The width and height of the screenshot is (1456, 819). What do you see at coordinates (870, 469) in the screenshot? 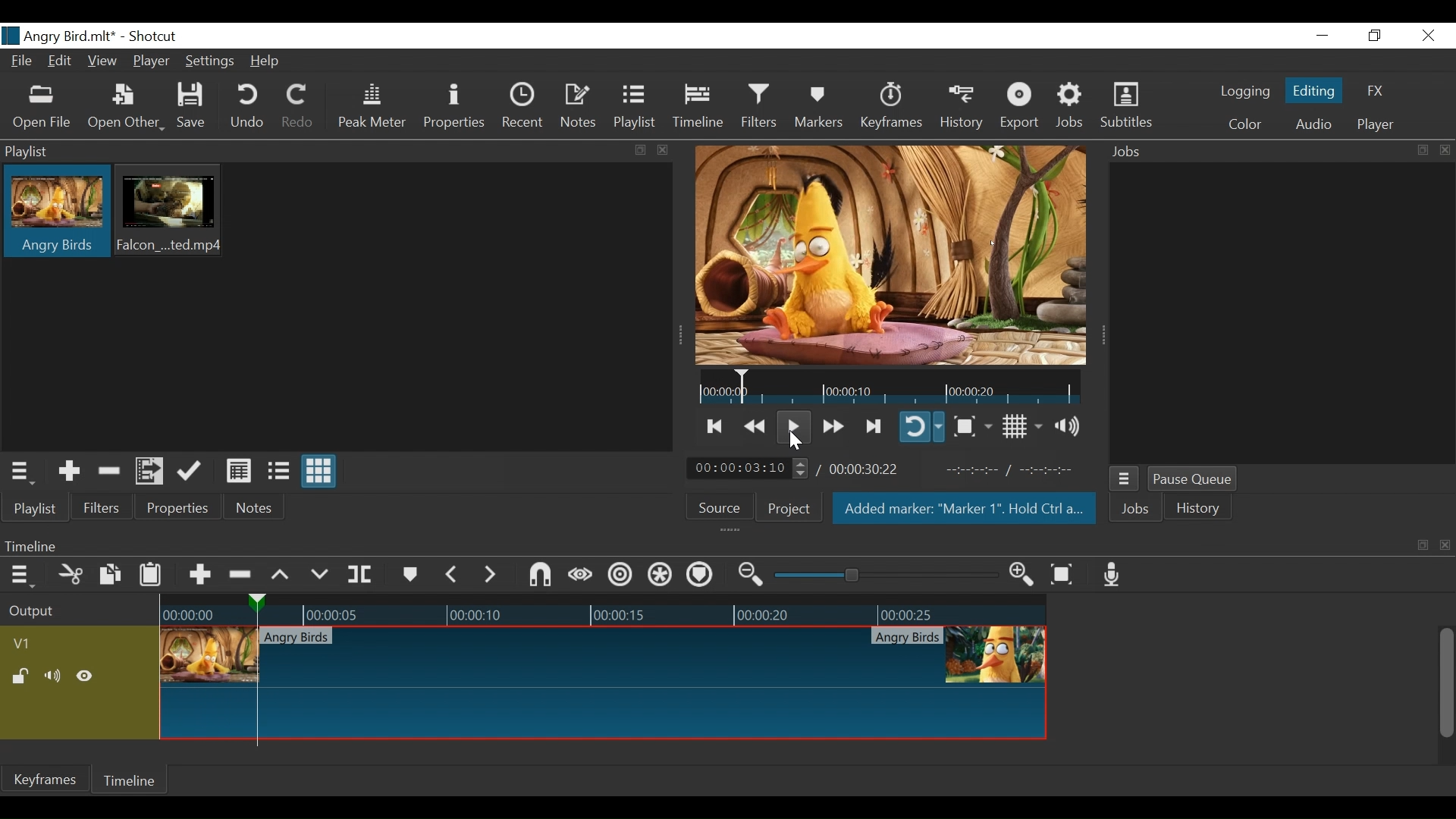
I see `Total Duration` at bounding box center [870, 469].